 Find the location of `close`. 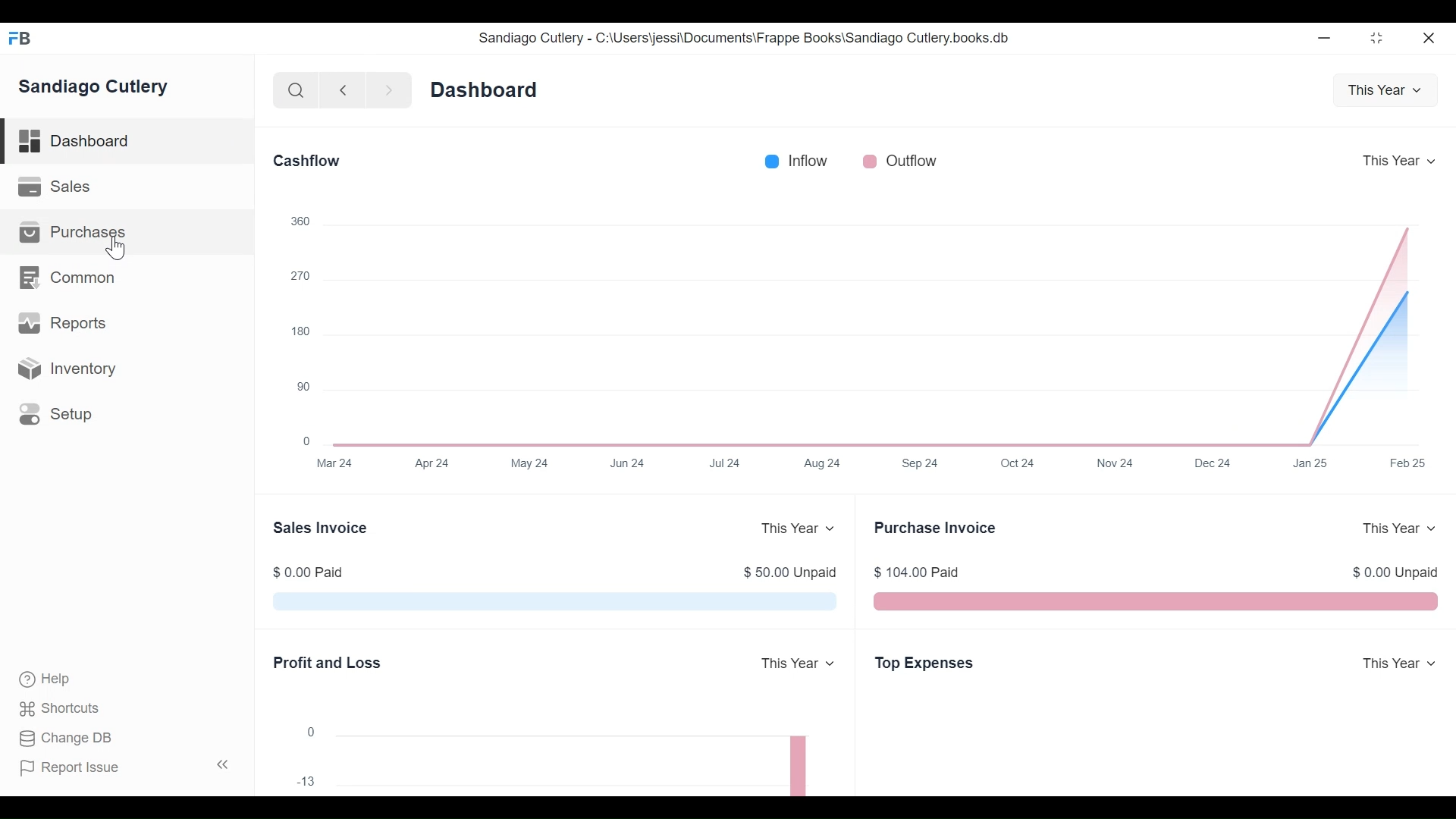

close is located at coordinates (1427, 39).